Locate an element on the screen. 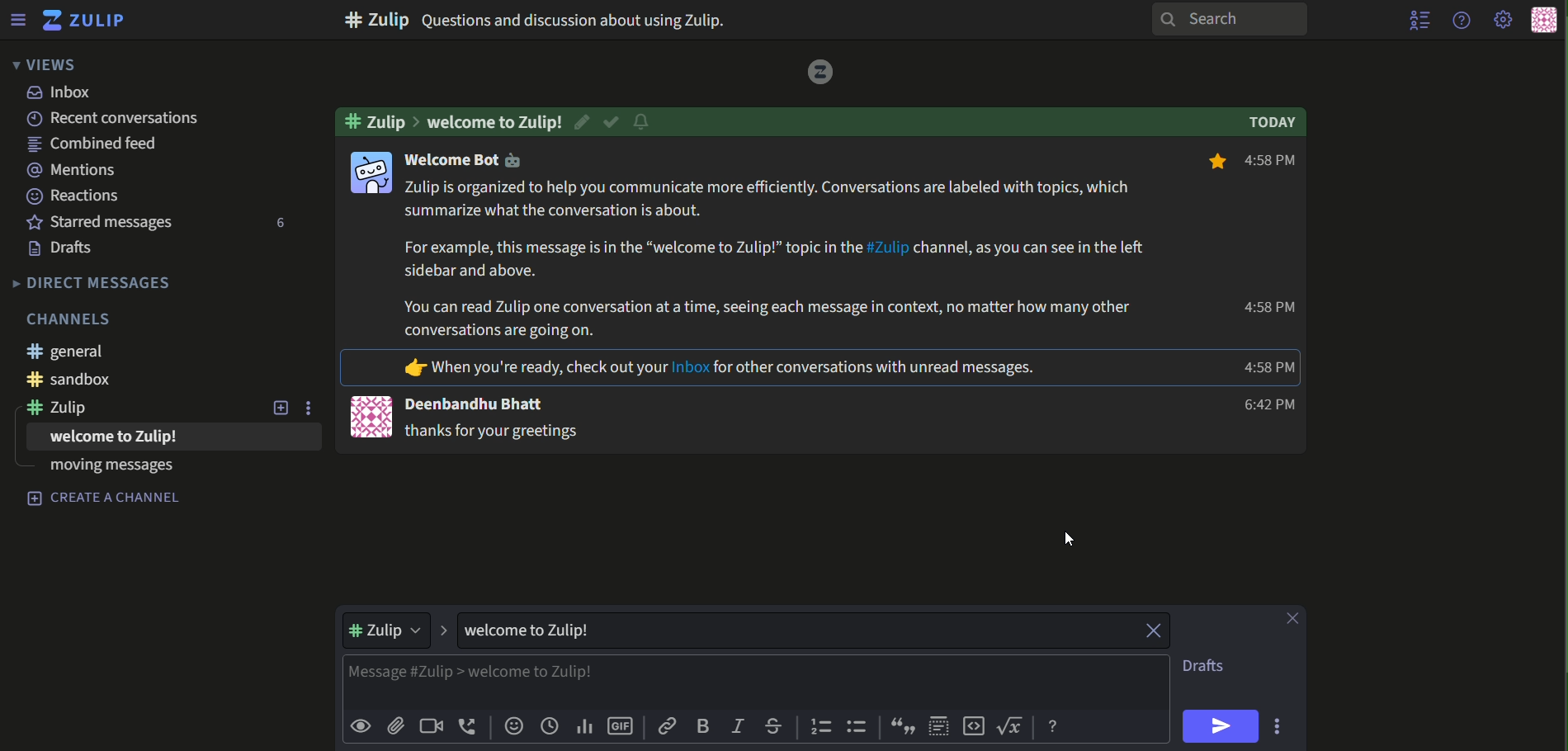 The width and height of the screenshot is (1568, 751). text is located at coordinates (1268, 405).